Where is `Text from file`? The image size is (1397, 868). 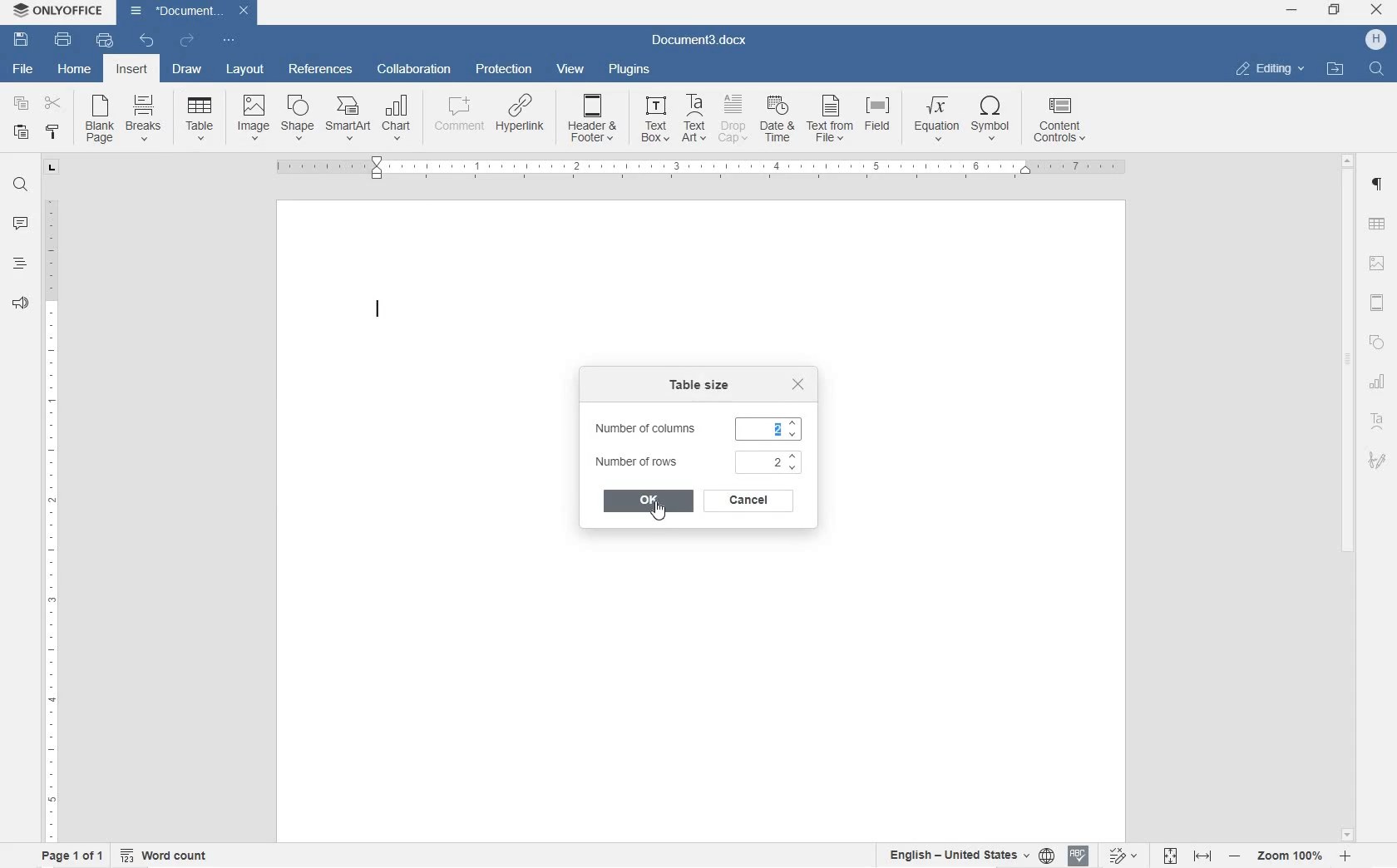
Text from file is located at coordinates (831, 121).